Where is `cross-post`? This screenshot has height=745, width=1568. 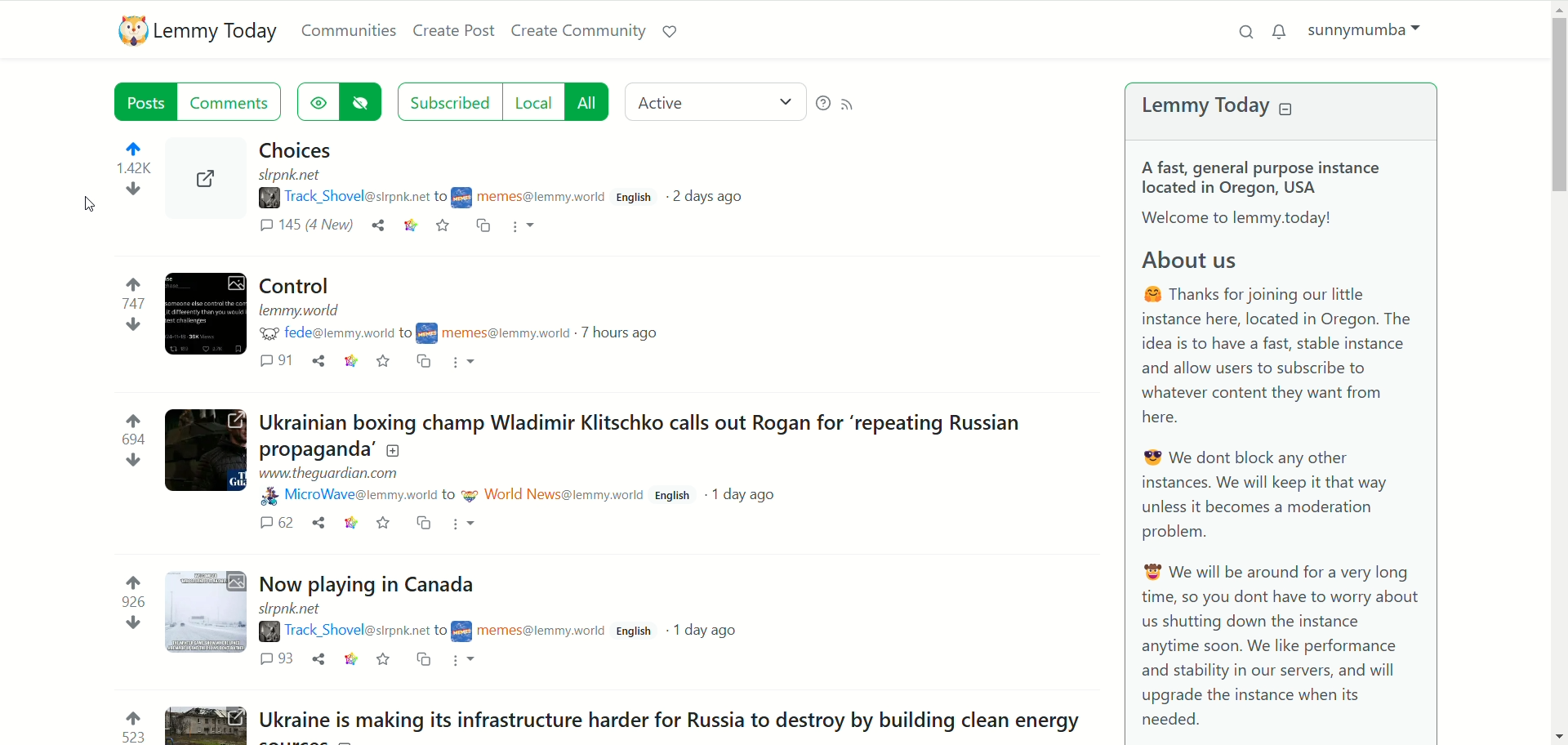
cross-post is located at coordinates (484, 227).